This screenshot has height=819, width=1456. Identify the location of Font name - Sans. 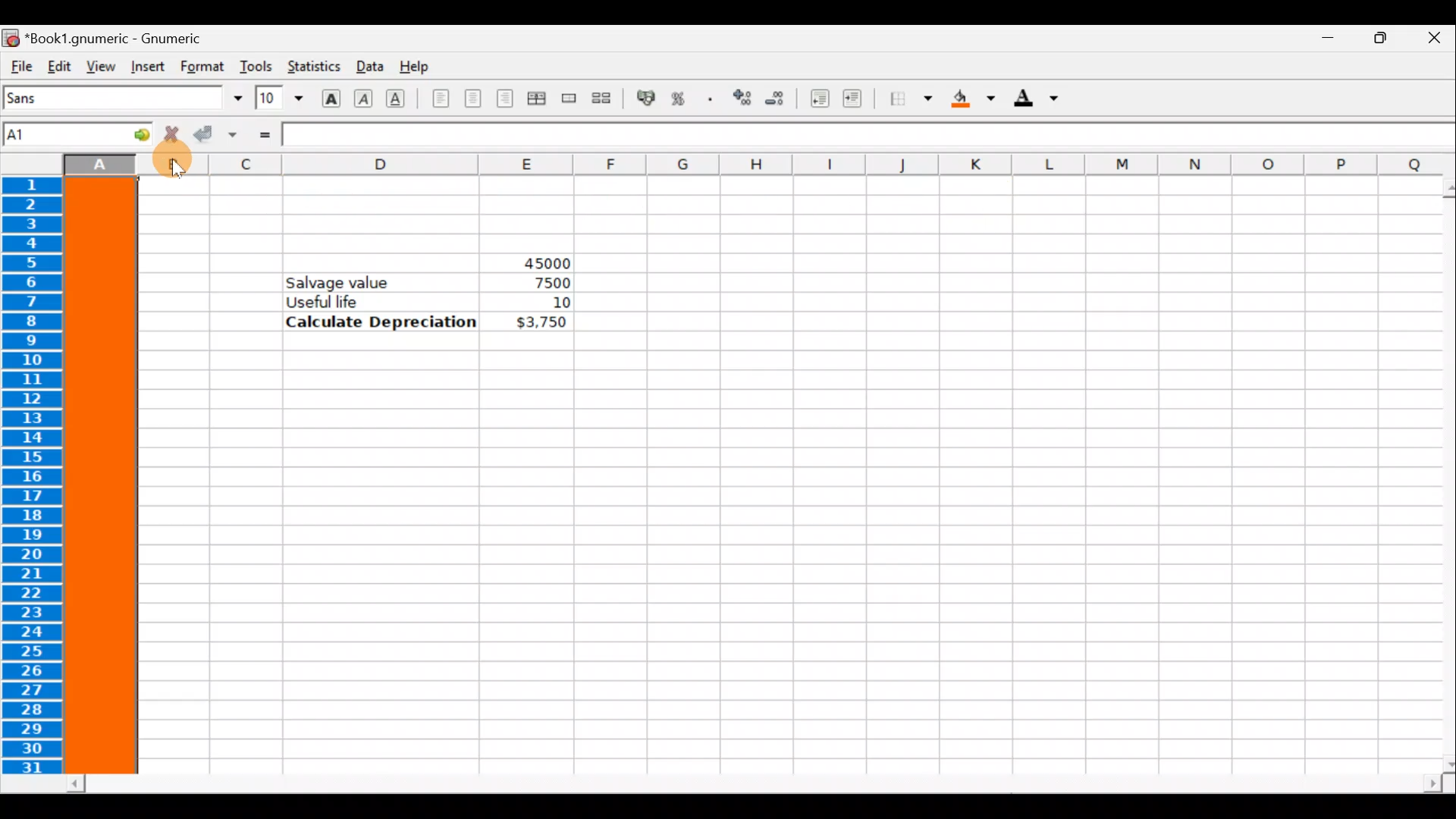
(120, 99).